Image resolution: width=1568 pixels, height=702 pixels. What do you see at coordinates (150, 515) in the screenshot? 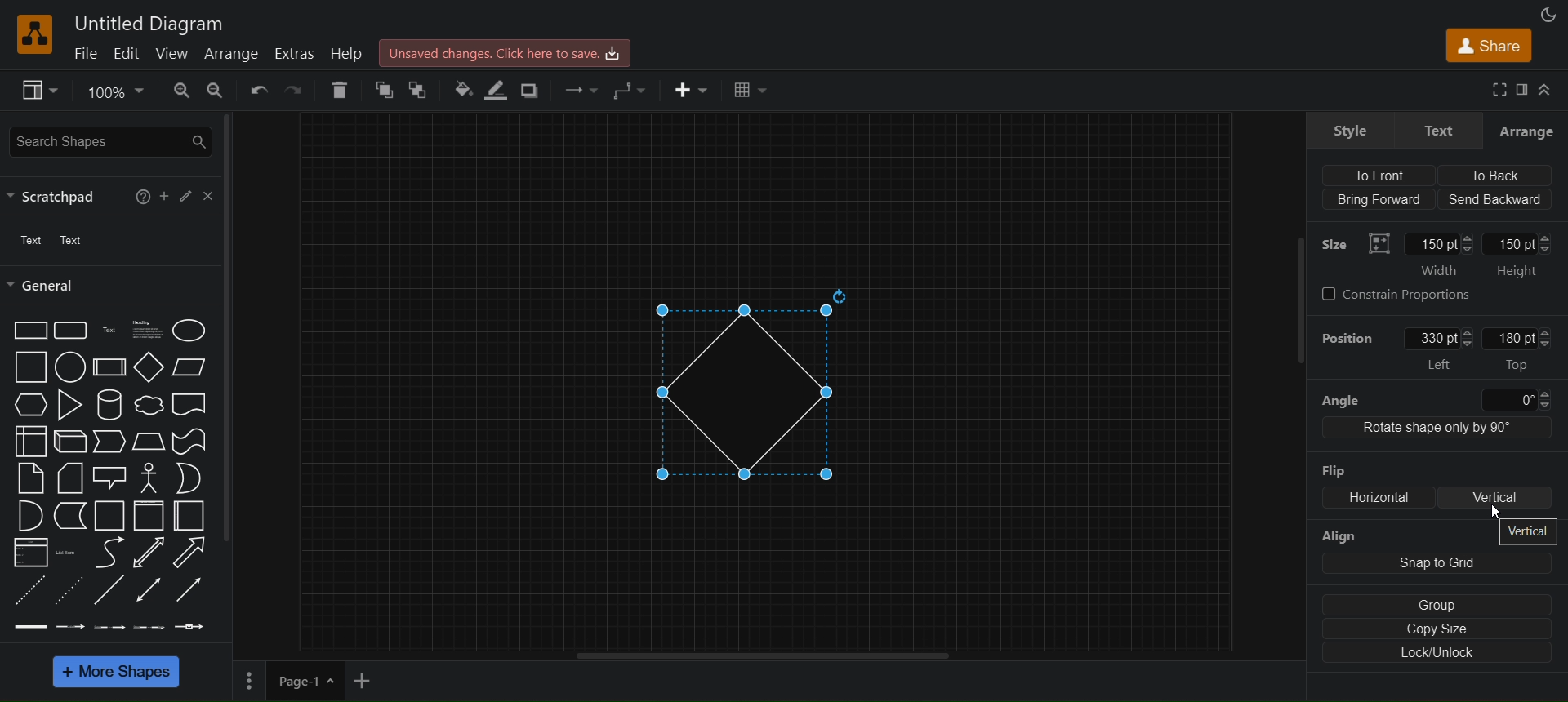
I see `vertical container` at bounding box center [150, 515].